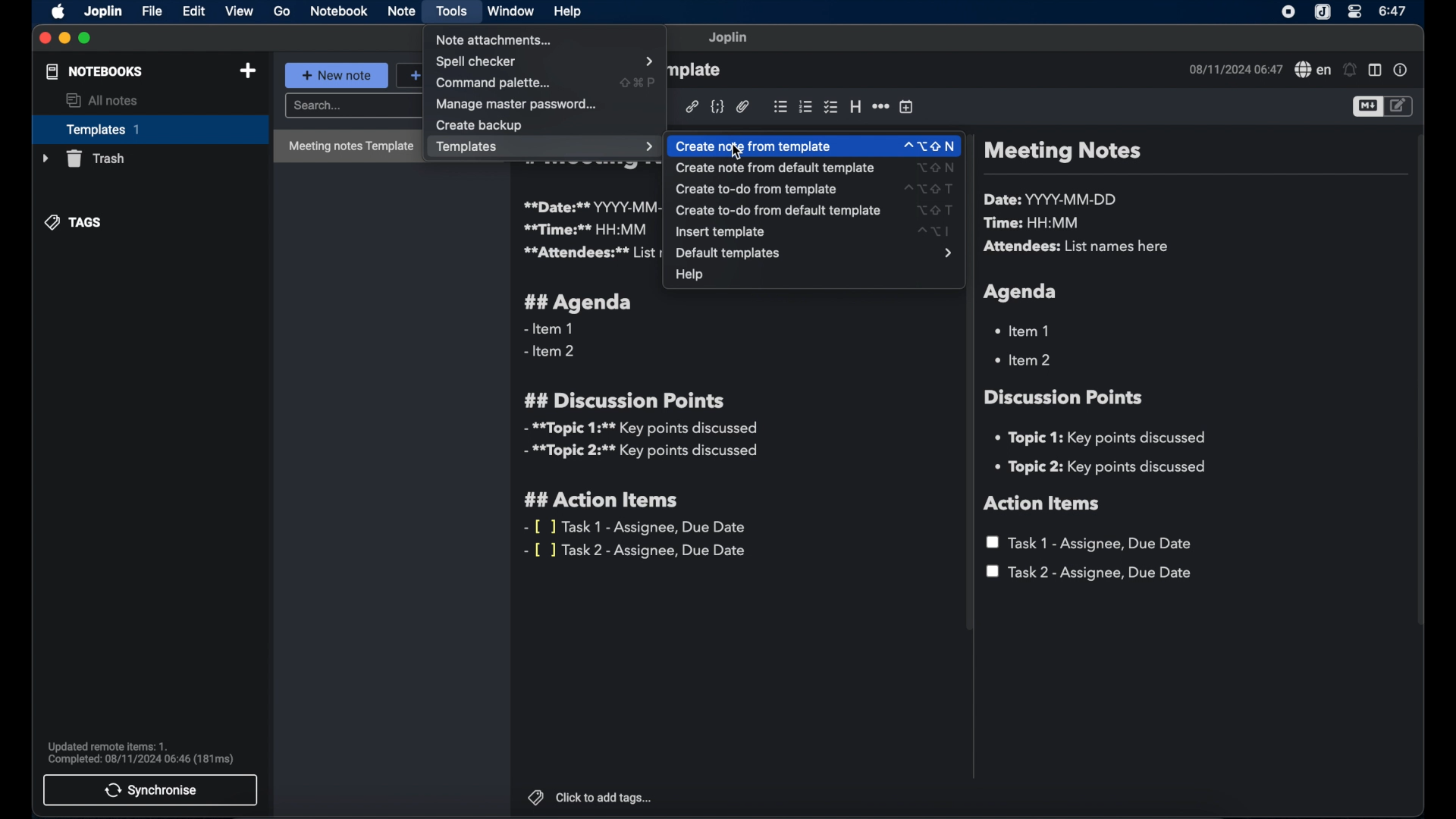 The width and height of the screenshot is (1456, 819). What do you see at coordinates (546, 61) in the screenshot?
I see `spell checker menu` at bounding box center [546, 61].